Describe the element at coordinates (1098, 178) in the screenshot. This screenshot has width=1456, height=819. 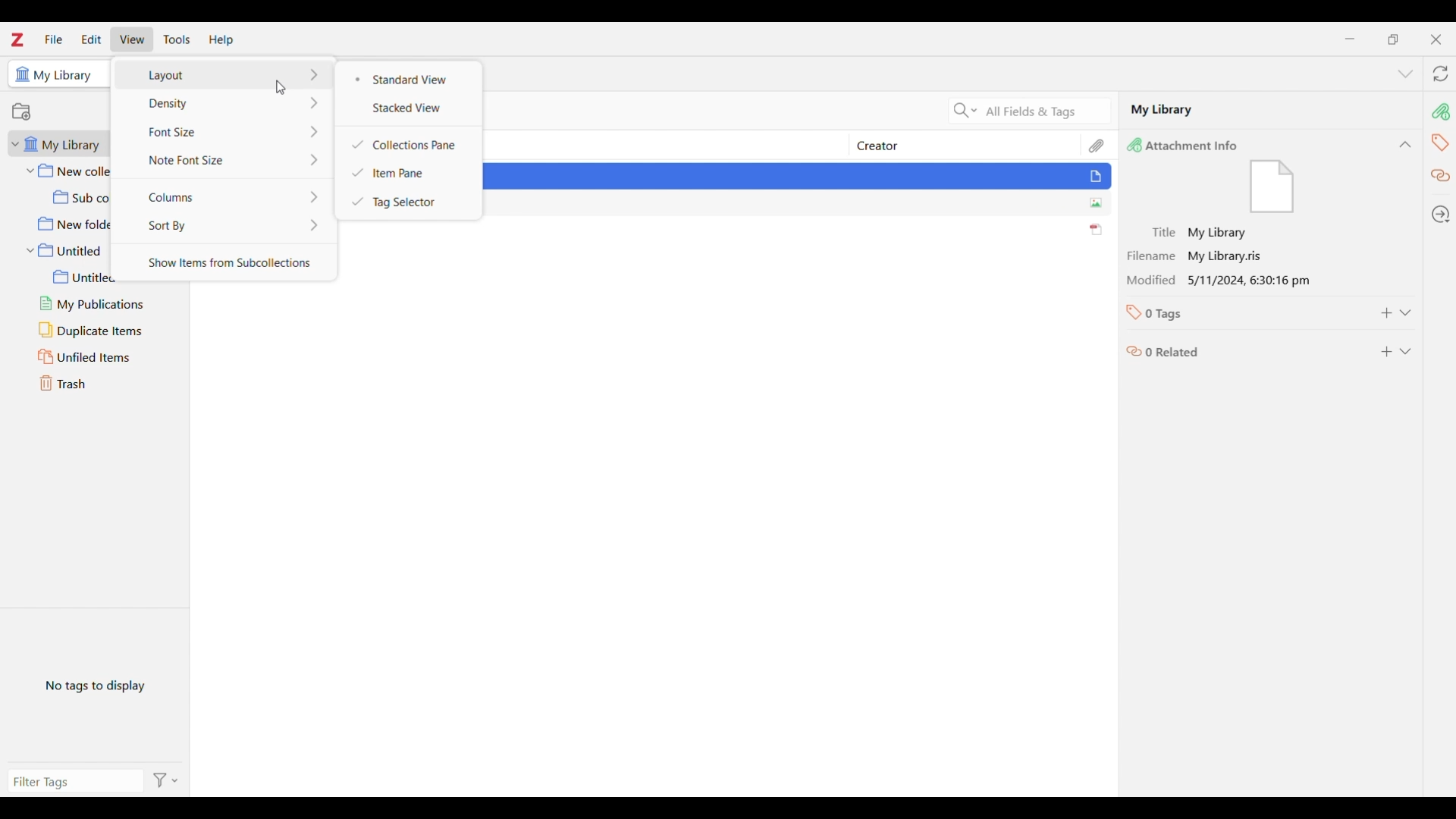
I see `File icon` at that location.